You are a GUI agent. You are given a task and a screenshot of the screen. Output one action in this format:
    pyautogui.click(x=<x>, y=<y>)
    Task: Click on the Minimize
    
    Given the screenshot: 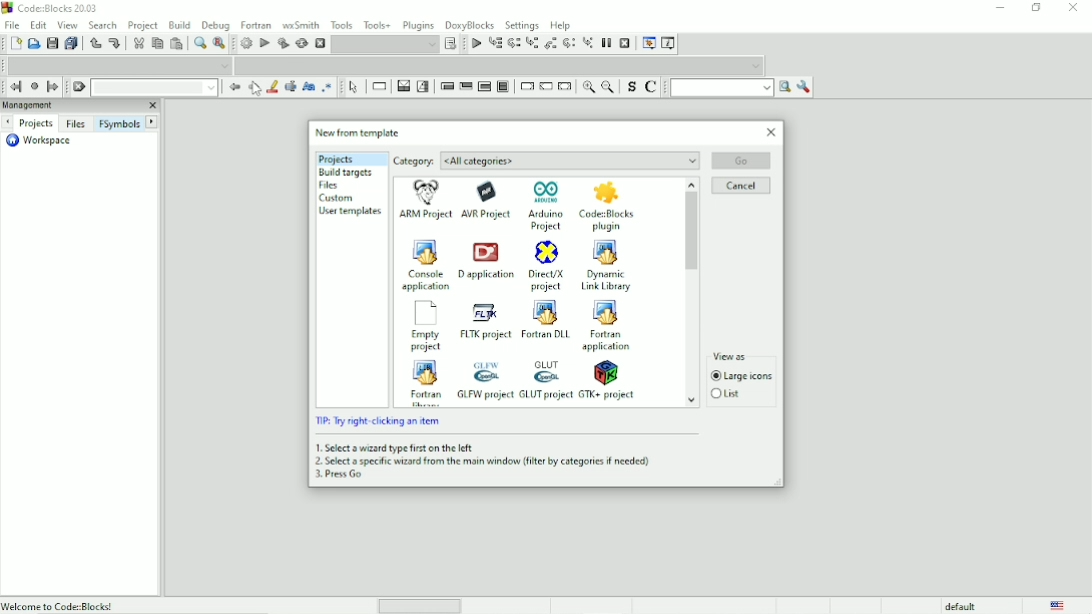 What is the action you would take?
    pyautogui.click(x=1000, y=8)
    